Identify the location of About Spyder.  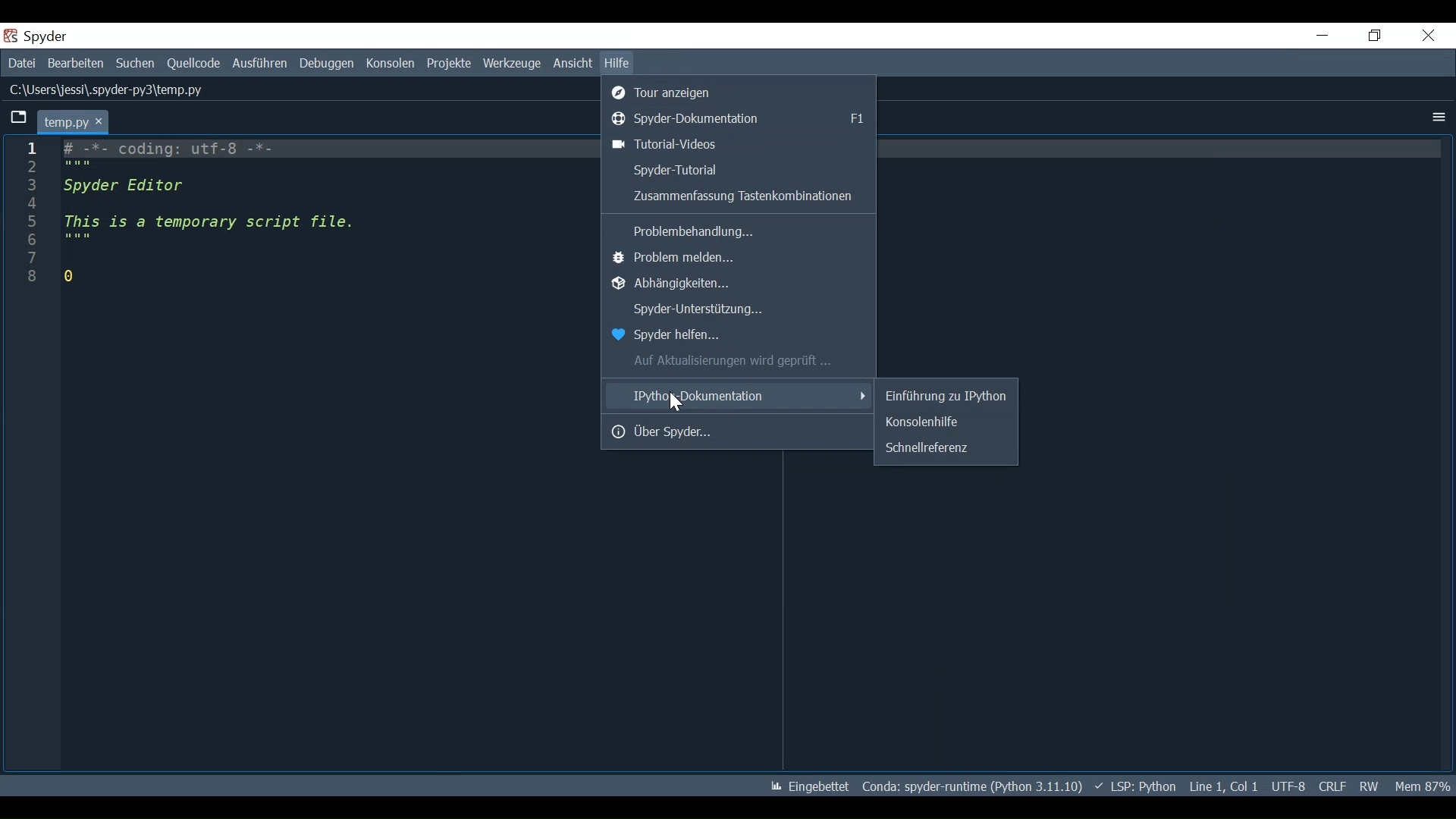
(739, 431).